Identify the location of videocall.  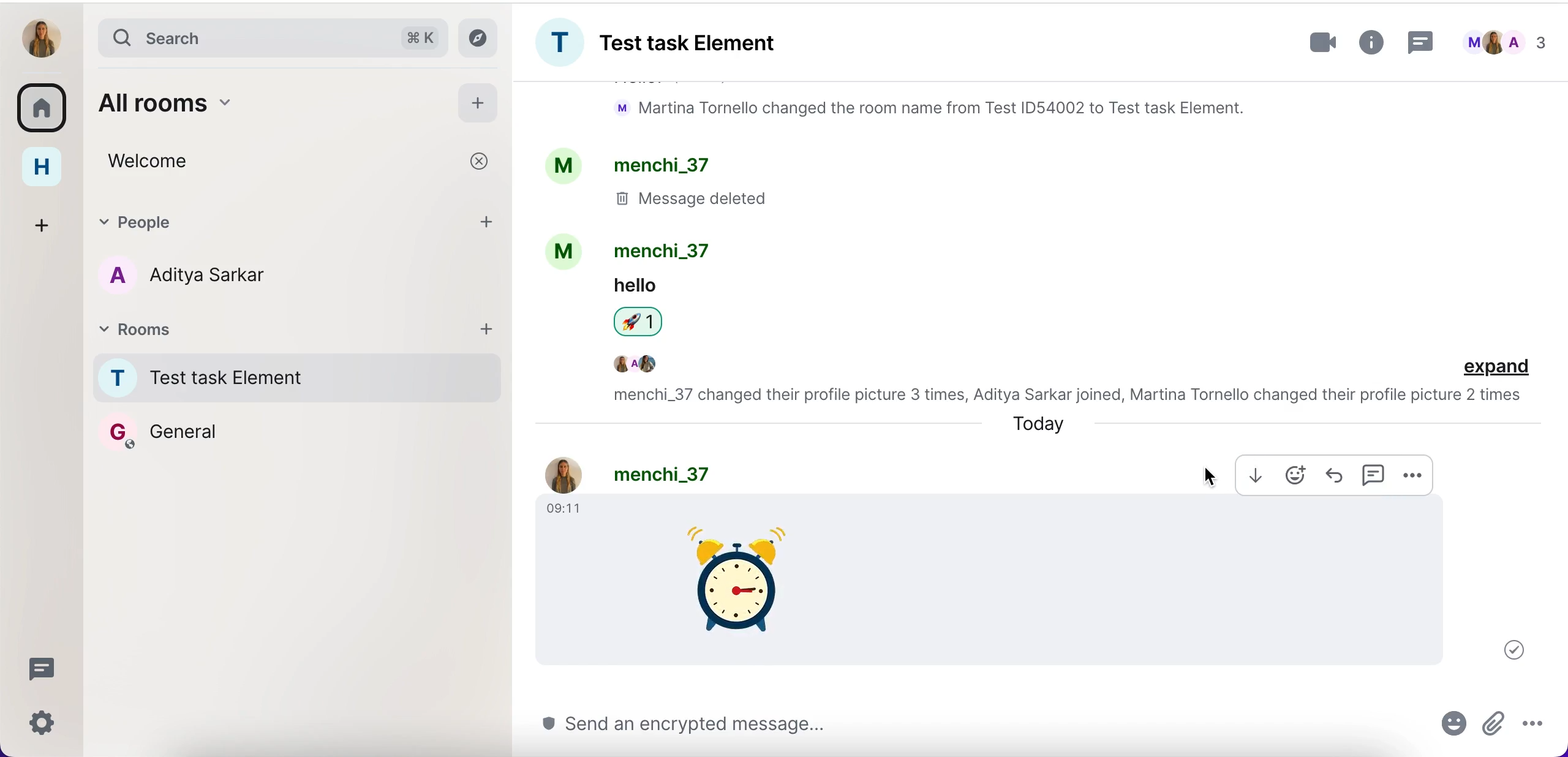
(1323, 43).